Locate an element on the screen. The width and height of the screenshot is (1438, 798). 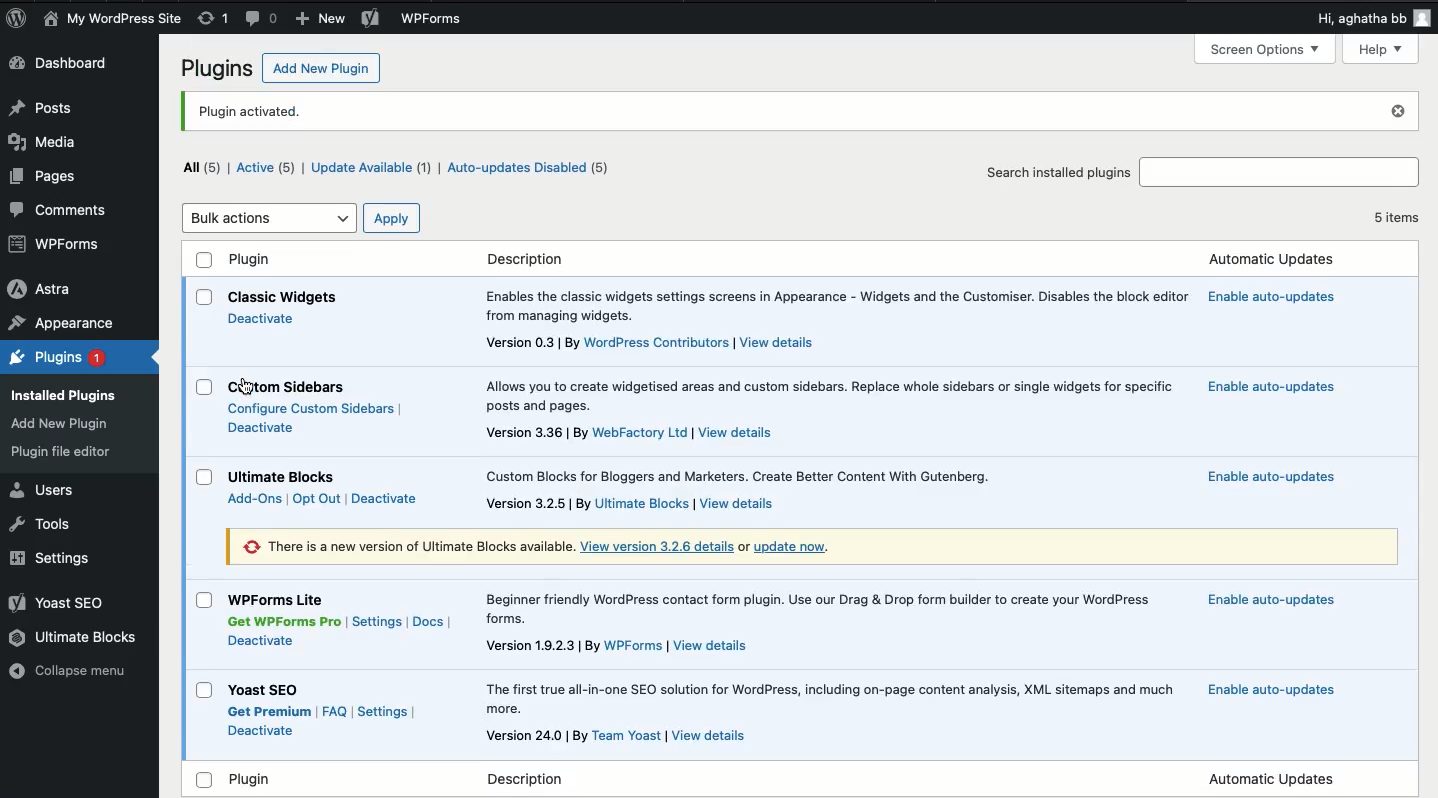
Hi user is located at coordinates (1372, 20).